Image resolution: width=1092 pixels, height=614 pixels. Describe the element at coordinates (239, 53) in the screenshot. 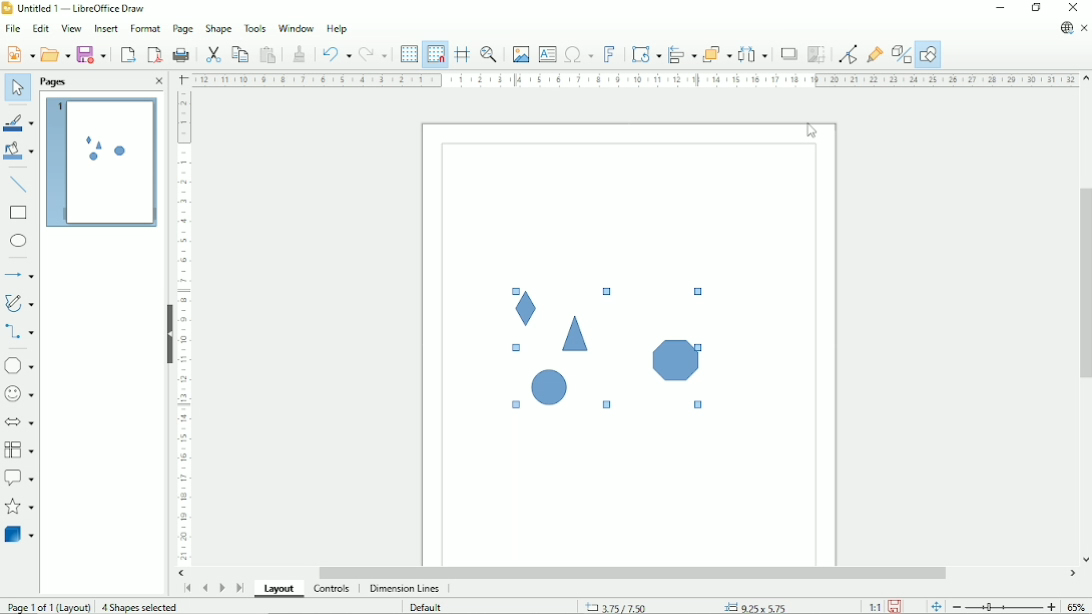

I see `Copy` at that location.